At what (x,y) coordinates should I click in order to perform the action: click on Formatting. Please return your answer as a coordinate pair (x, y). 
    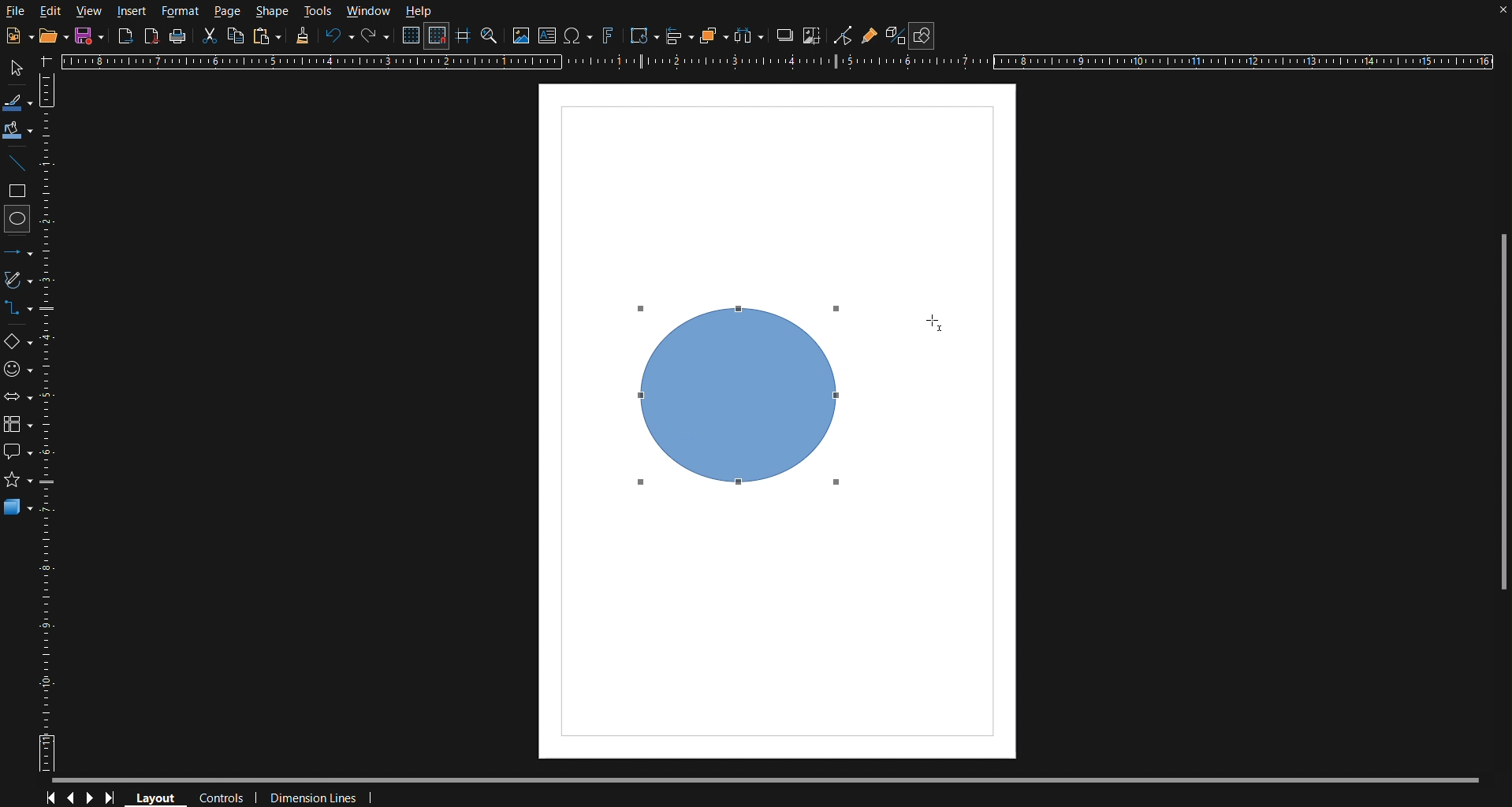
    Looking at the image, I should click on (303, 38).